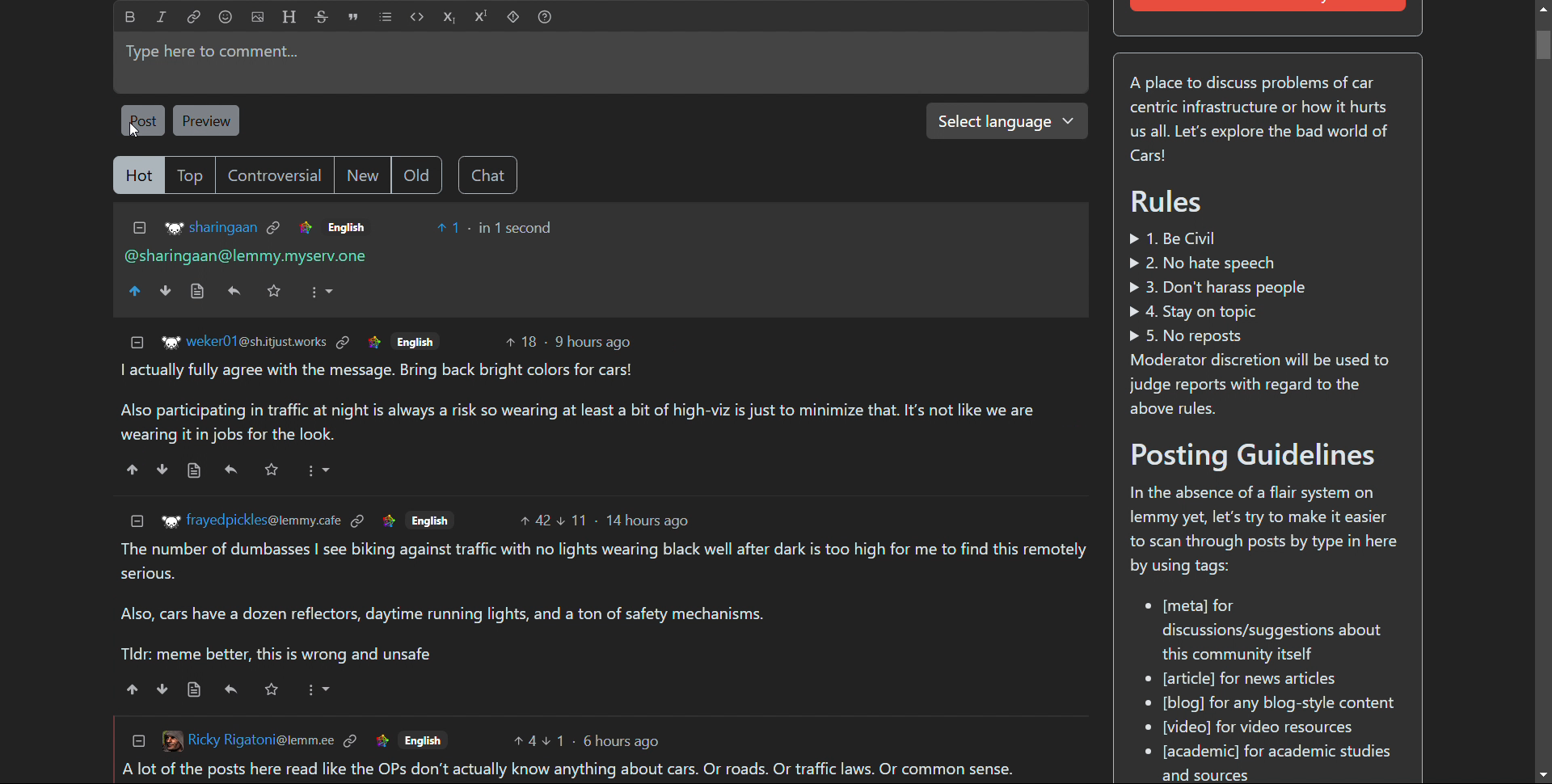 This screenshot has height=784, width=1552. I want to click on in 1 second, so click(518, 227).